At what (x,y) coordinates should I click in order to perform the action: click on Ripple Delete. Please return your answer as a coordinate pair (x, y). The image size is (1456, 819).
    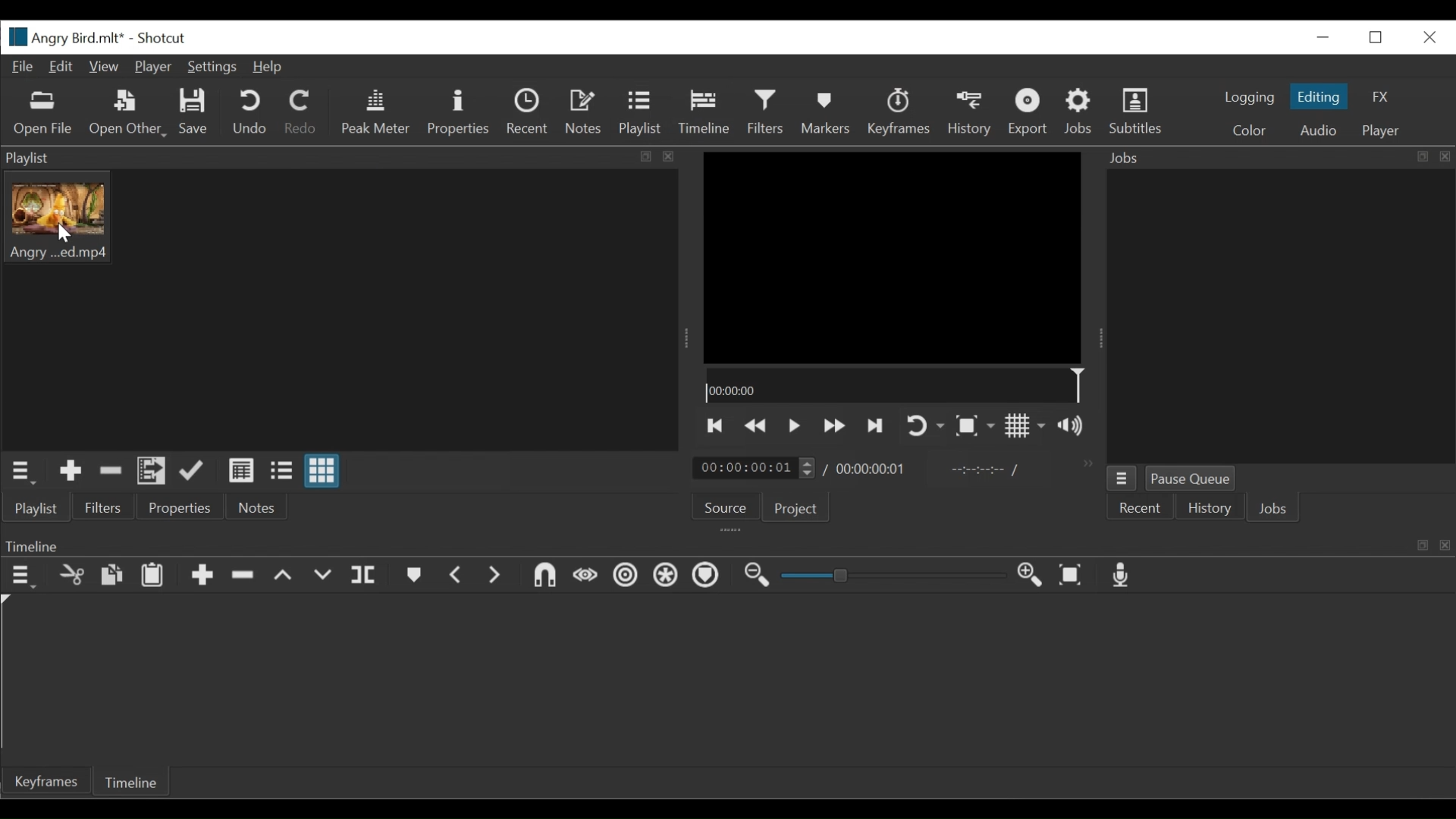
    Looking at the image, I should click on (243, 576).